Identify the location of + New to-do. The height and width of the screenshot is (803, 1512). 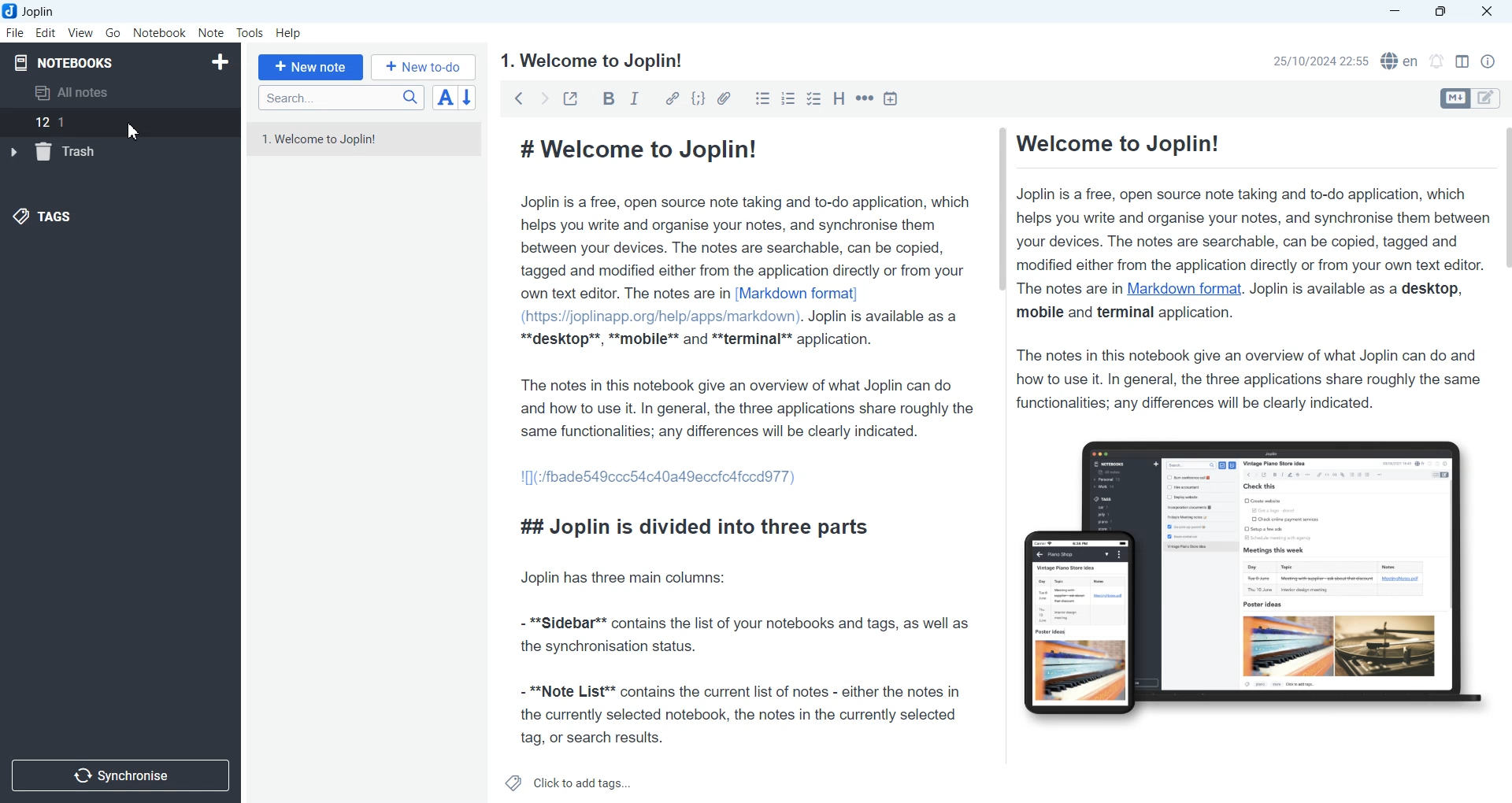
(425, 66).